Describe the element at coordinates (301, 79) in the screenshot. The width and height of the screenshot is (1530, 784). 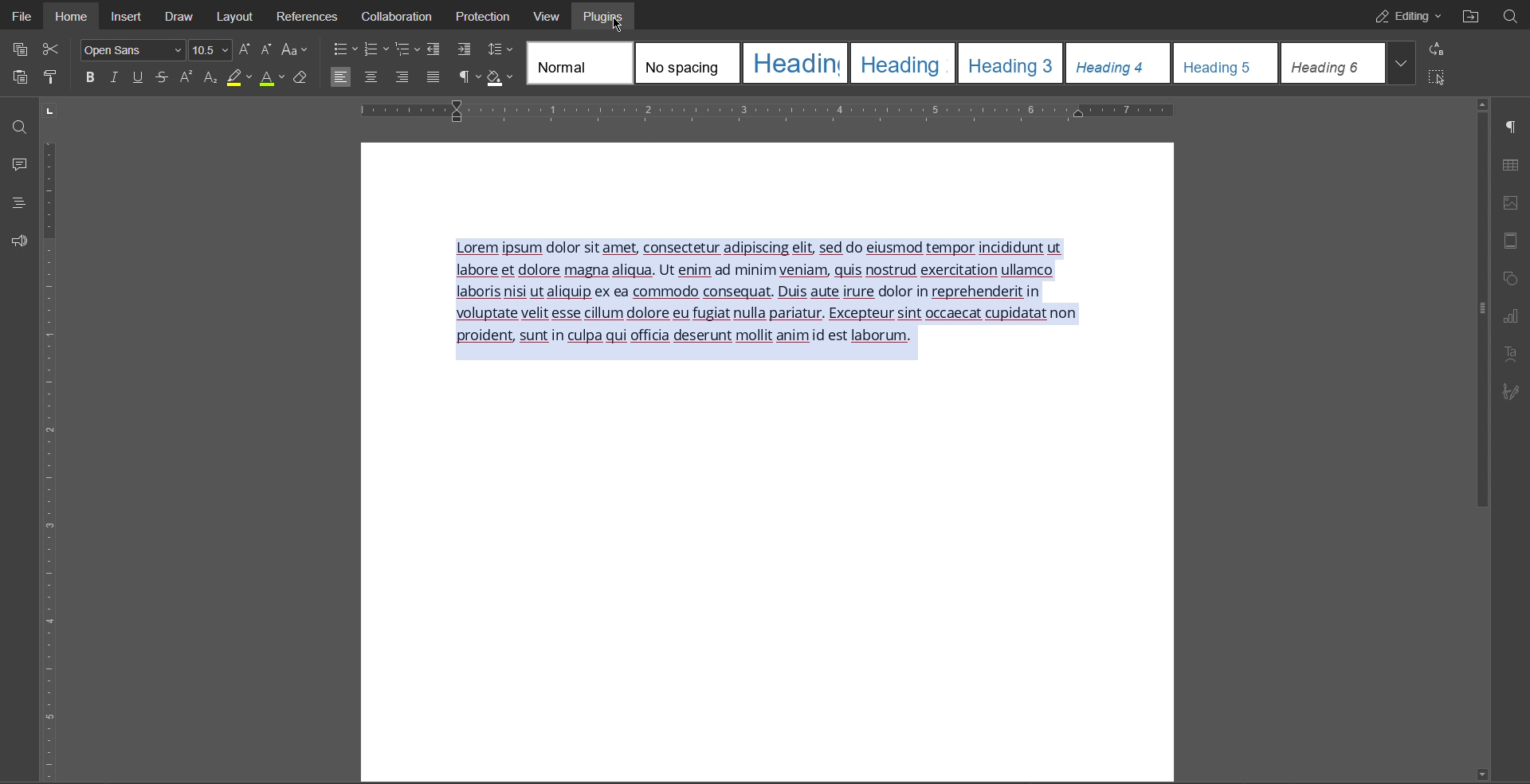
I see `Erase` at that location.